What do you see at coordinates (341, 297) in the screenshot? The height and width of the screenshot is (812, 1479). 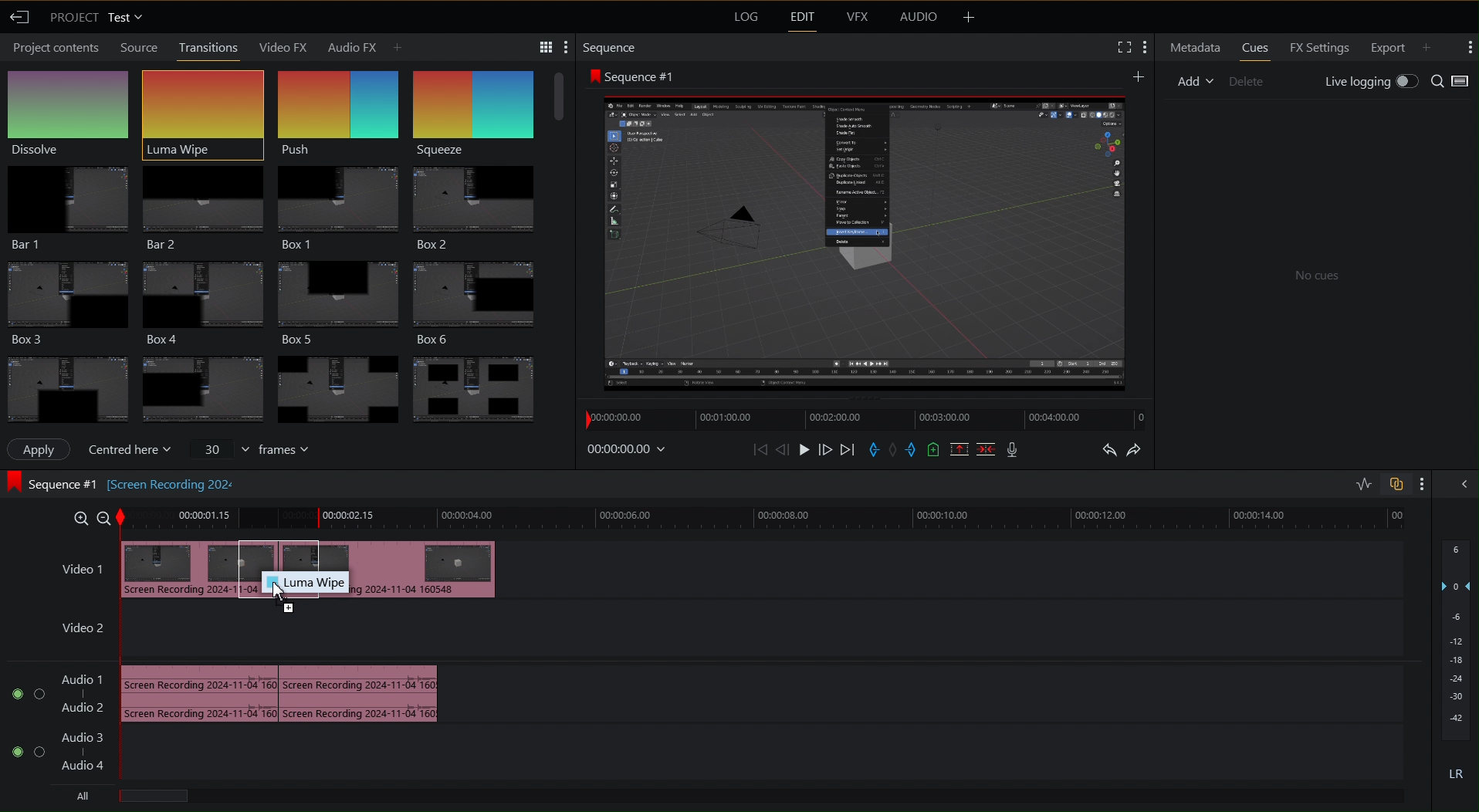 I see `Box 5` at bounding box center [341, 297].